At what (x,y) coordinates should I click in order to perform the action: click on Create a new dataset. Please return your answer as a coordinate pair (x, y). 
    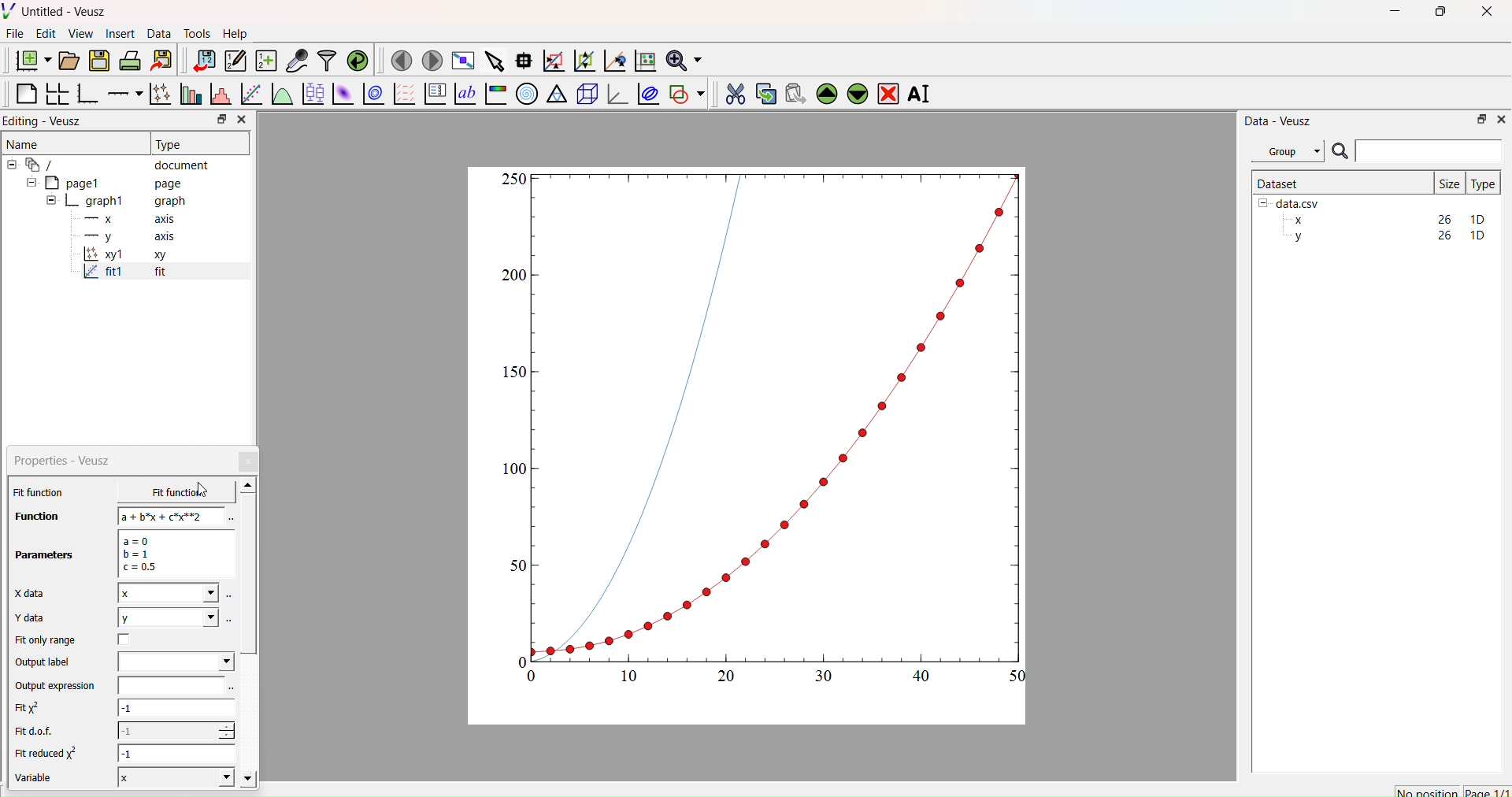
    Looking at the image, I should click on (265, 61).